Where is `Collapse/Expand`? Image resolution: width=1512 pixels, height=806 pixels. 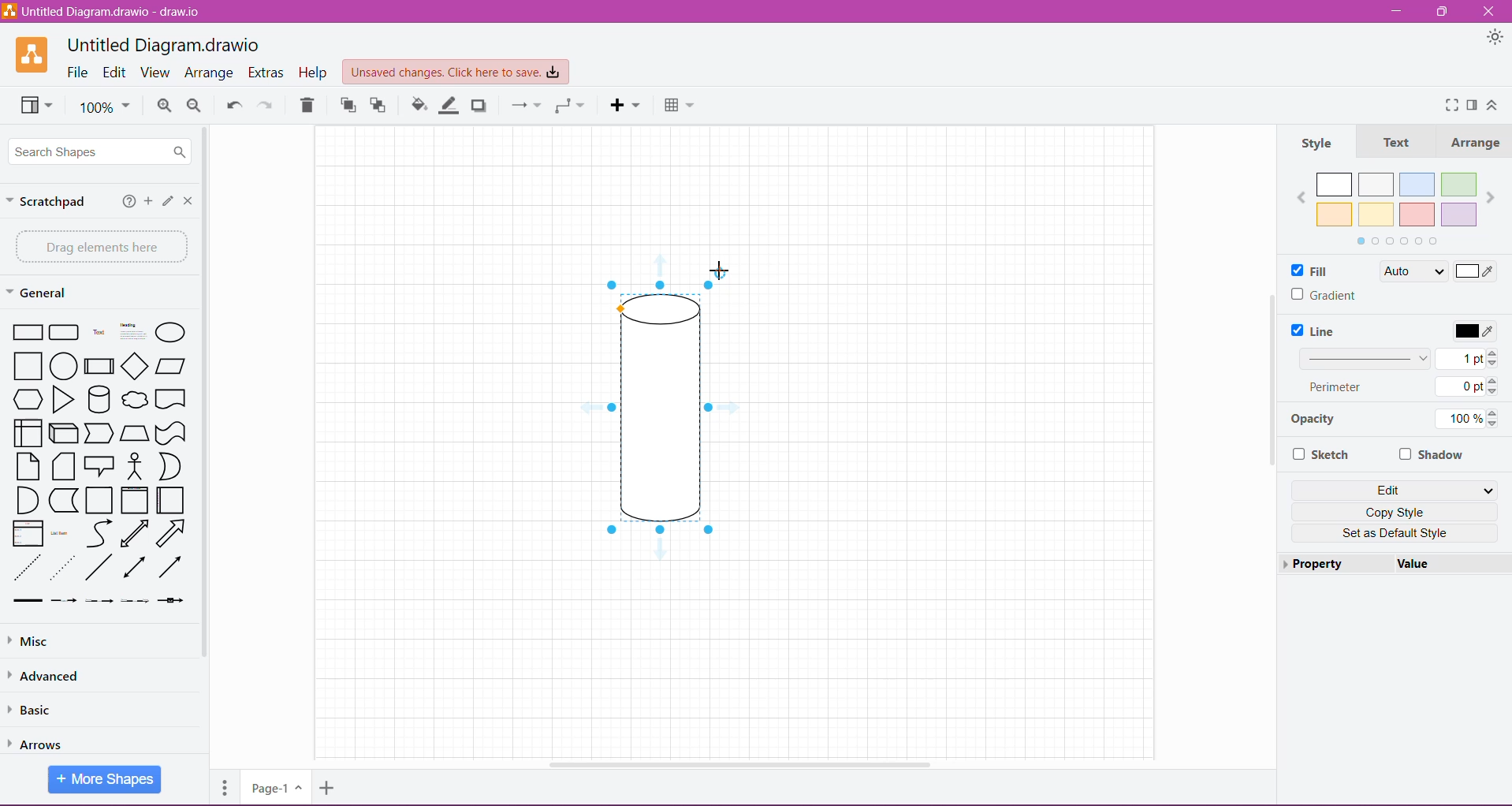 Collapse/Expand is located at coordinates (1493, 105).